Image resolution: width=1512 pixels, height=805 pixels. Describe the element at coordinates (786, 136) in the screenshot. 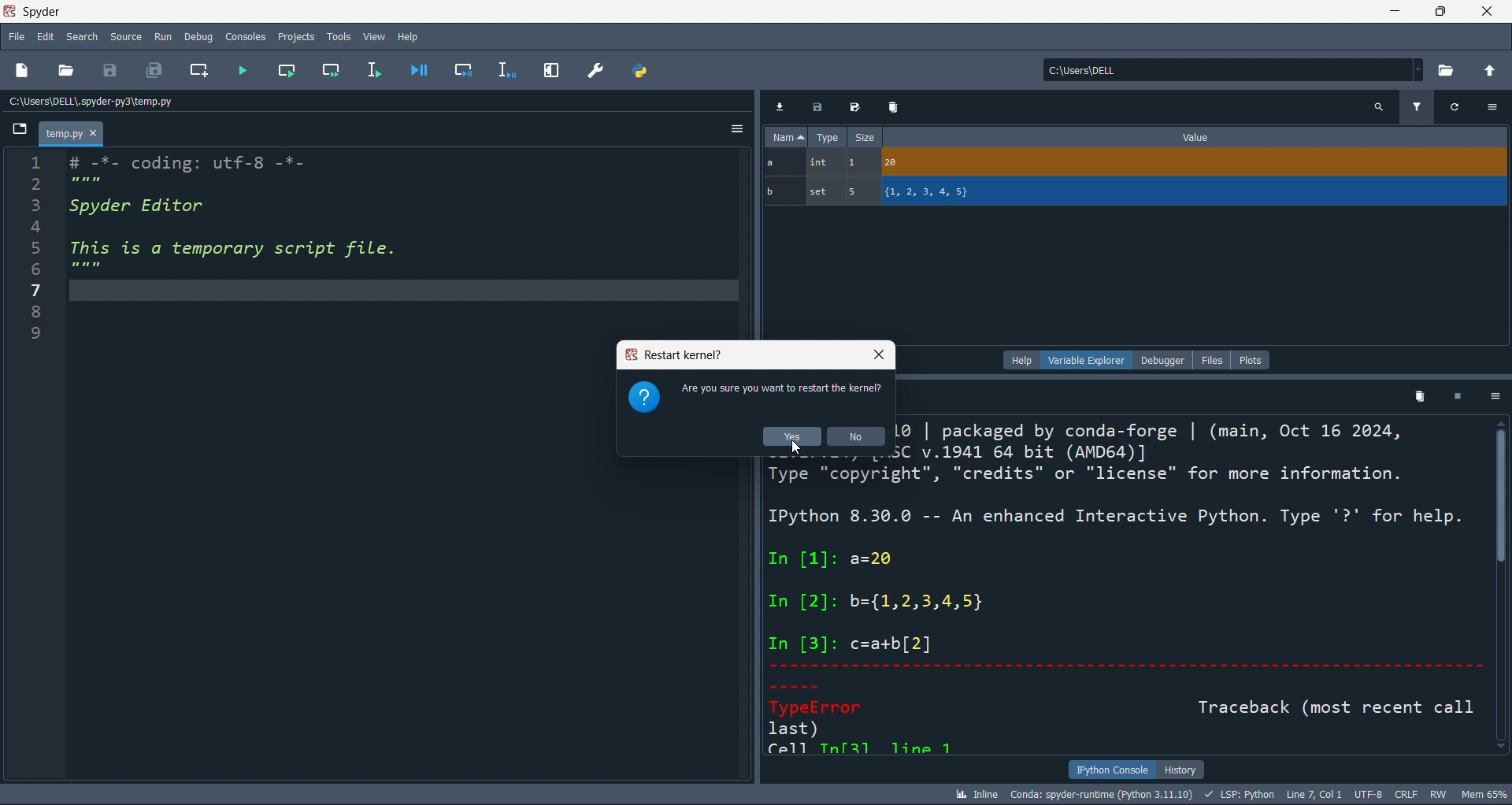

I see `name` at that location.